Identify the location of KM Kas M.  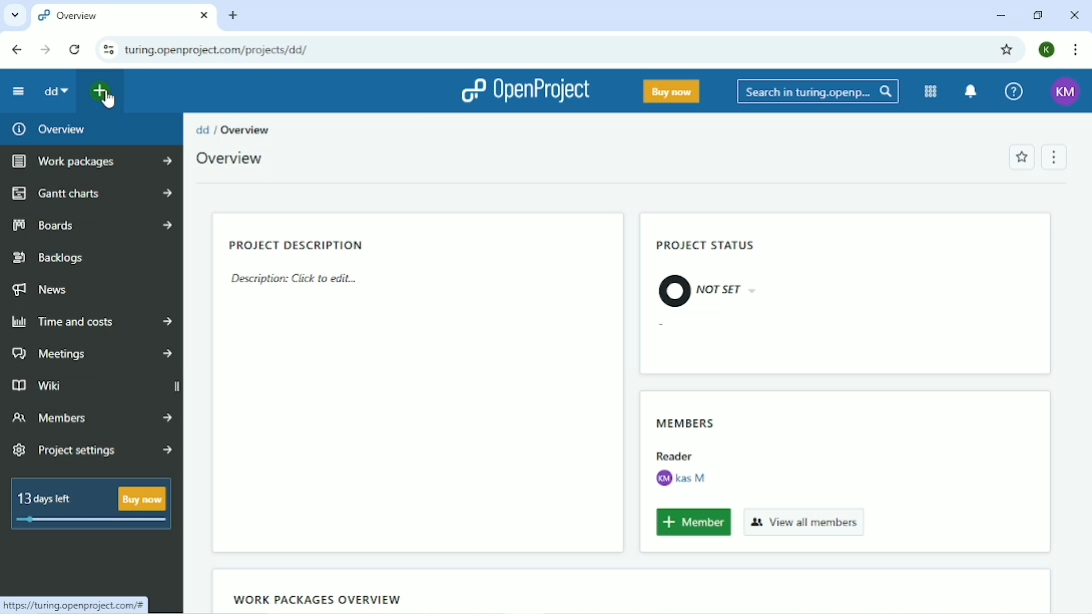
(678, 478).